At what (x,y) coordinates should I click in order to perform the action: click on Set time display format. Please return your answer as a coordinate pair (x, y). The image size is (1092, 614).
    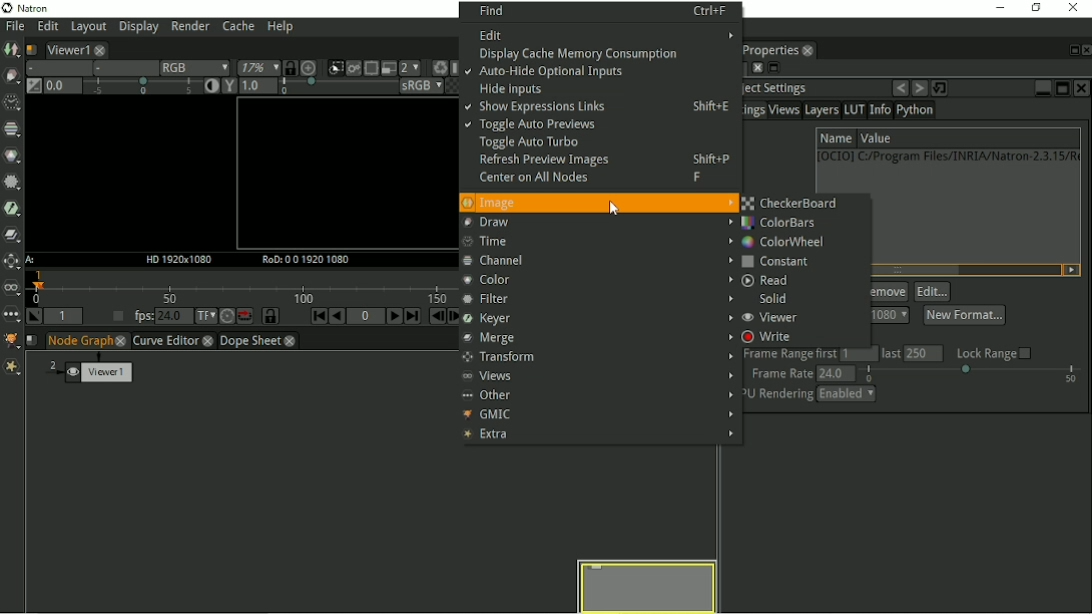
    Looking at the image, I should click on (201, 317).